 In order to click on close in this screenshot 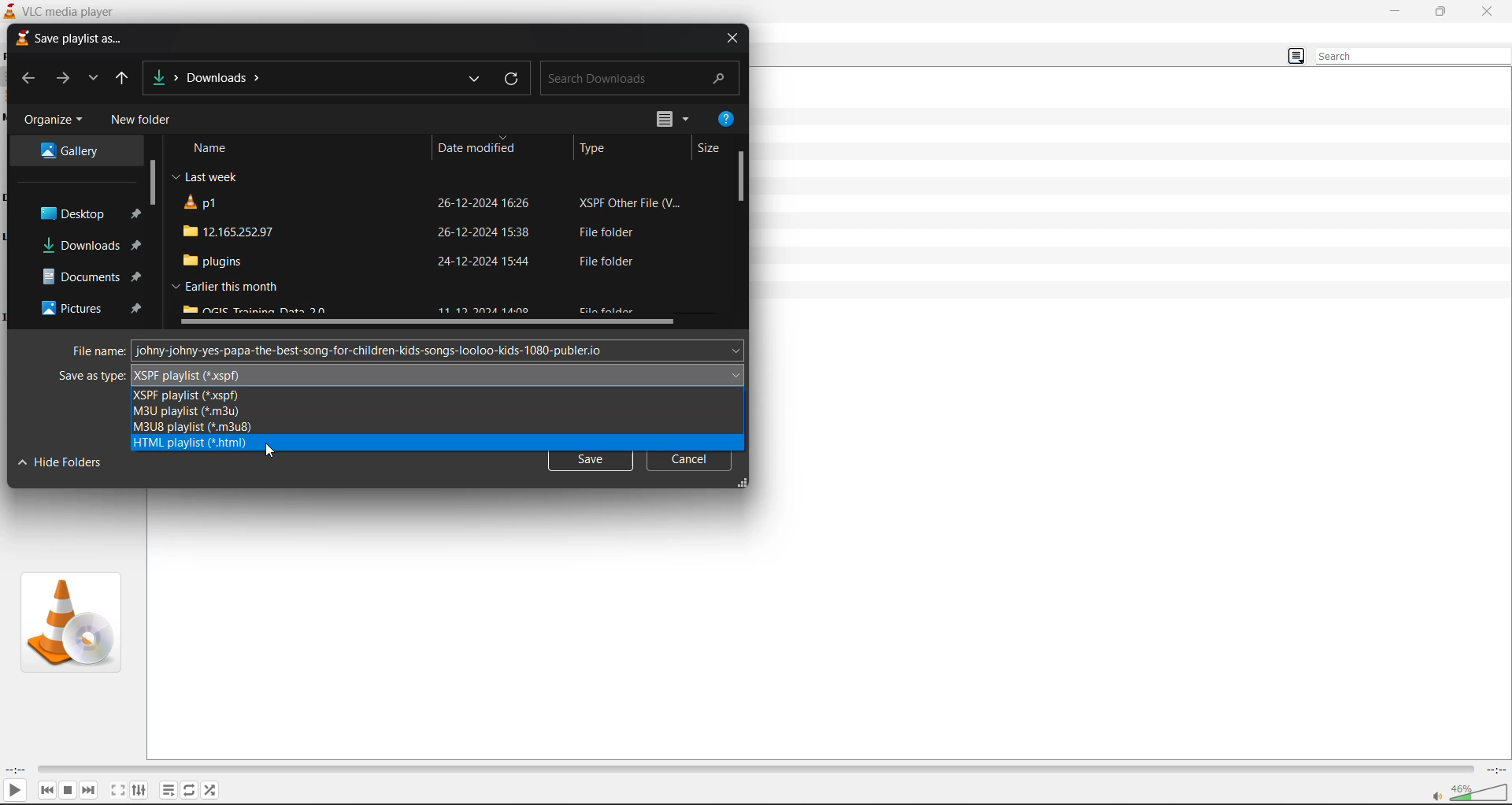, I will do `click(730, 39)`.